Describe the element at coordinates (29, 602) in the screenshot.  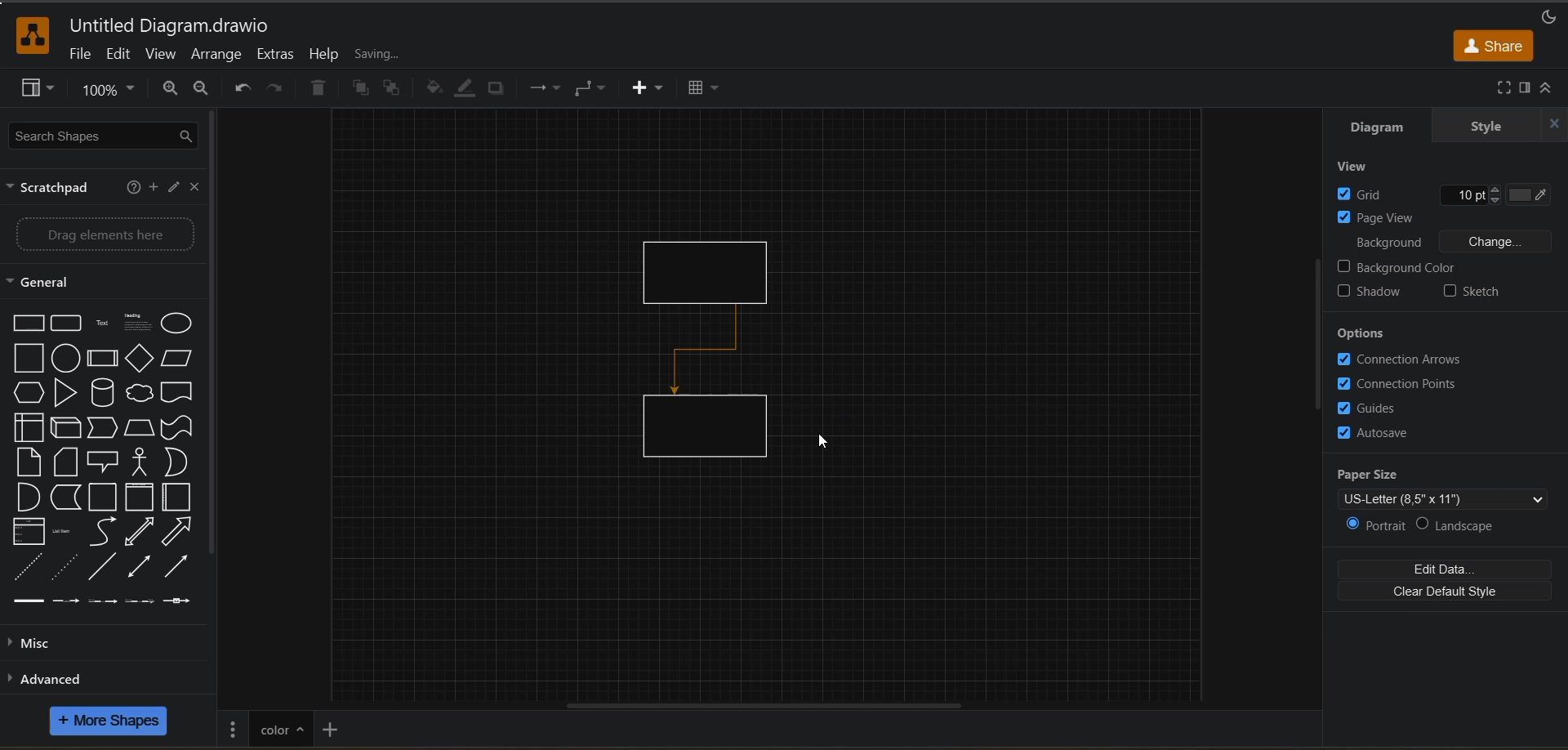
I see `Link` at that location.